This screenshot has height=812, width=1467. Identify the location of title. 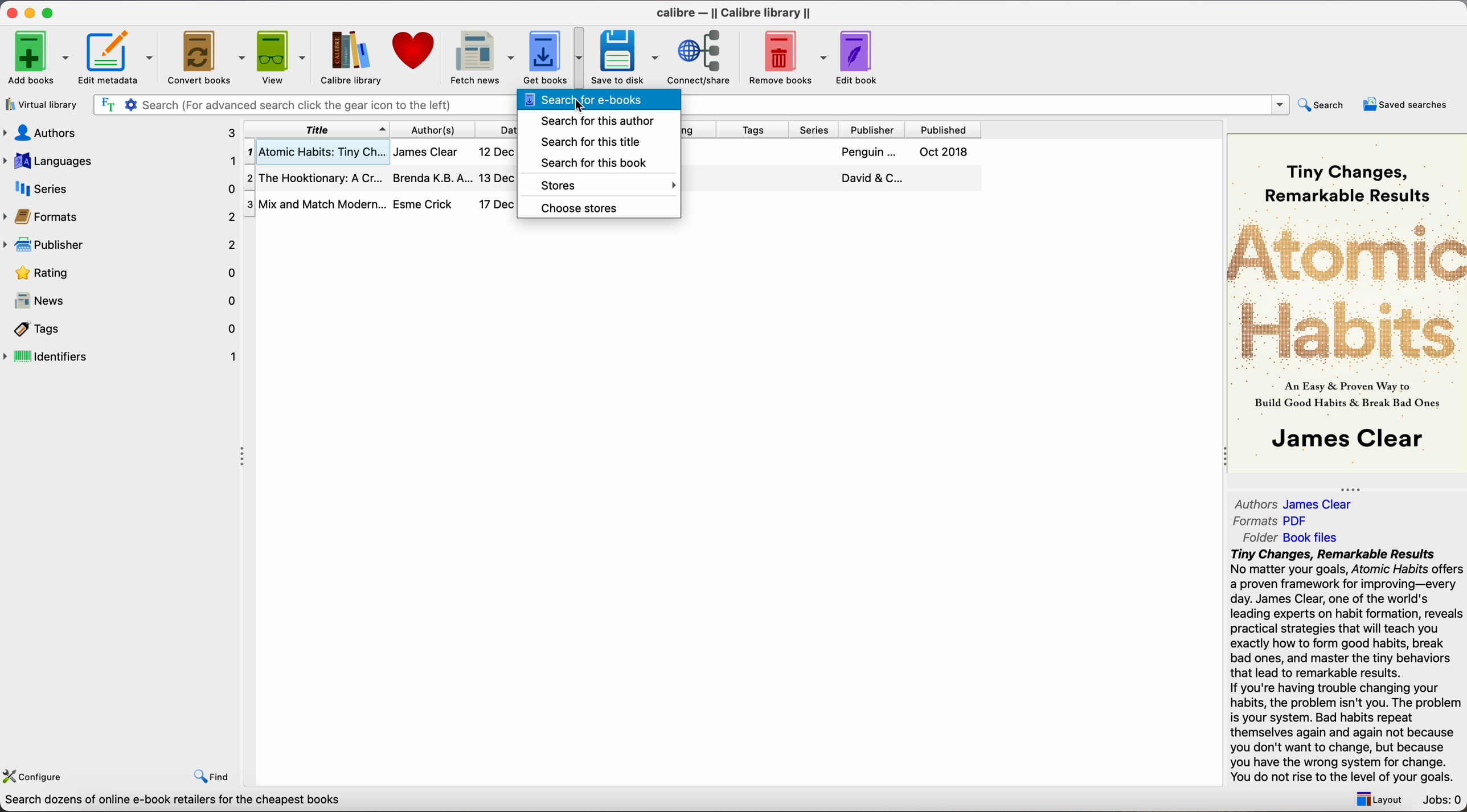
(317, 129).